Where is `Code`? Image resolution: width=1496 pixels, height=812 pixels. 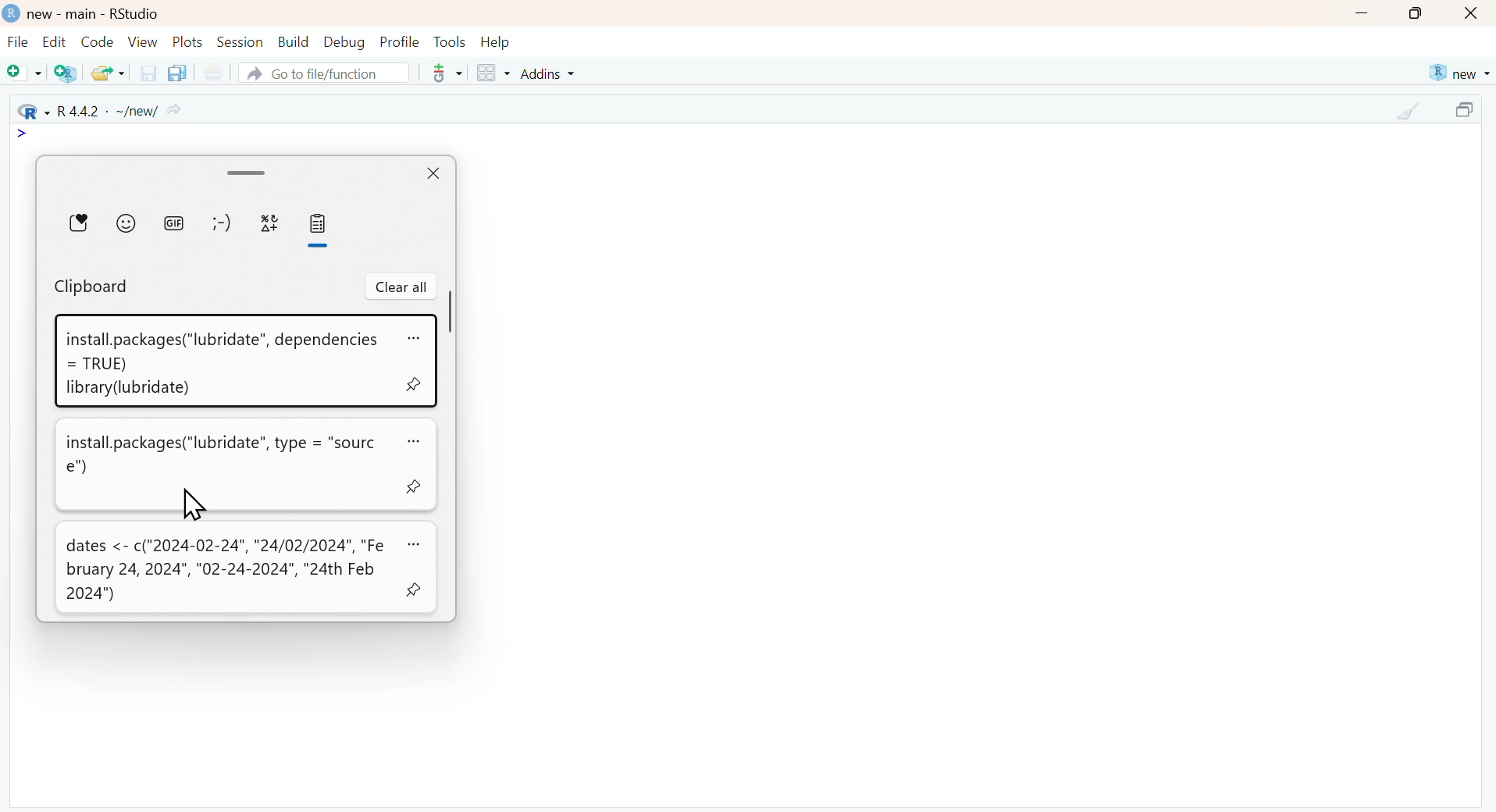 Code is located at coordinates (95, 41).